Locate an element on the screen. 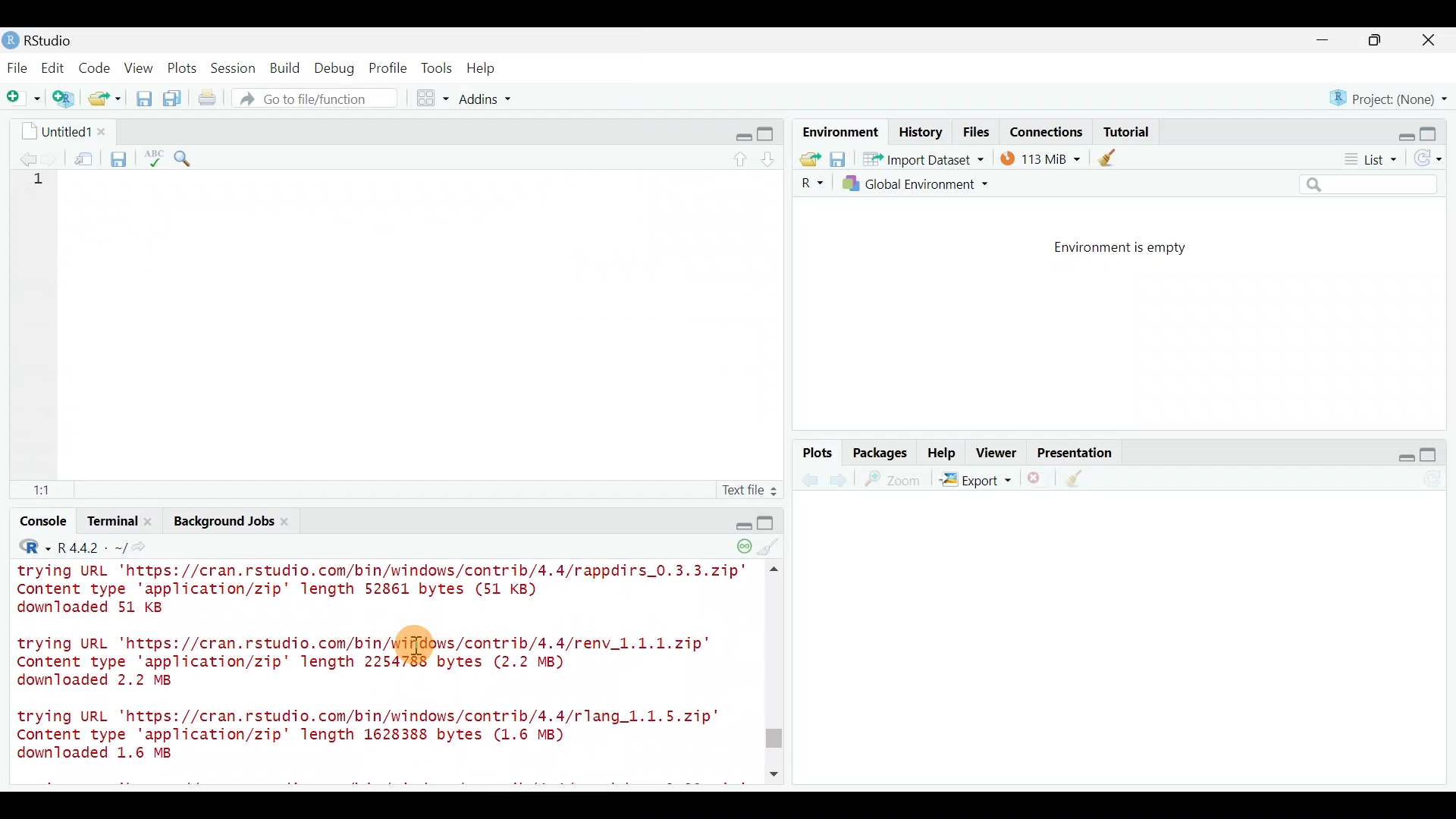  Files is located at coordinates (977, 132).